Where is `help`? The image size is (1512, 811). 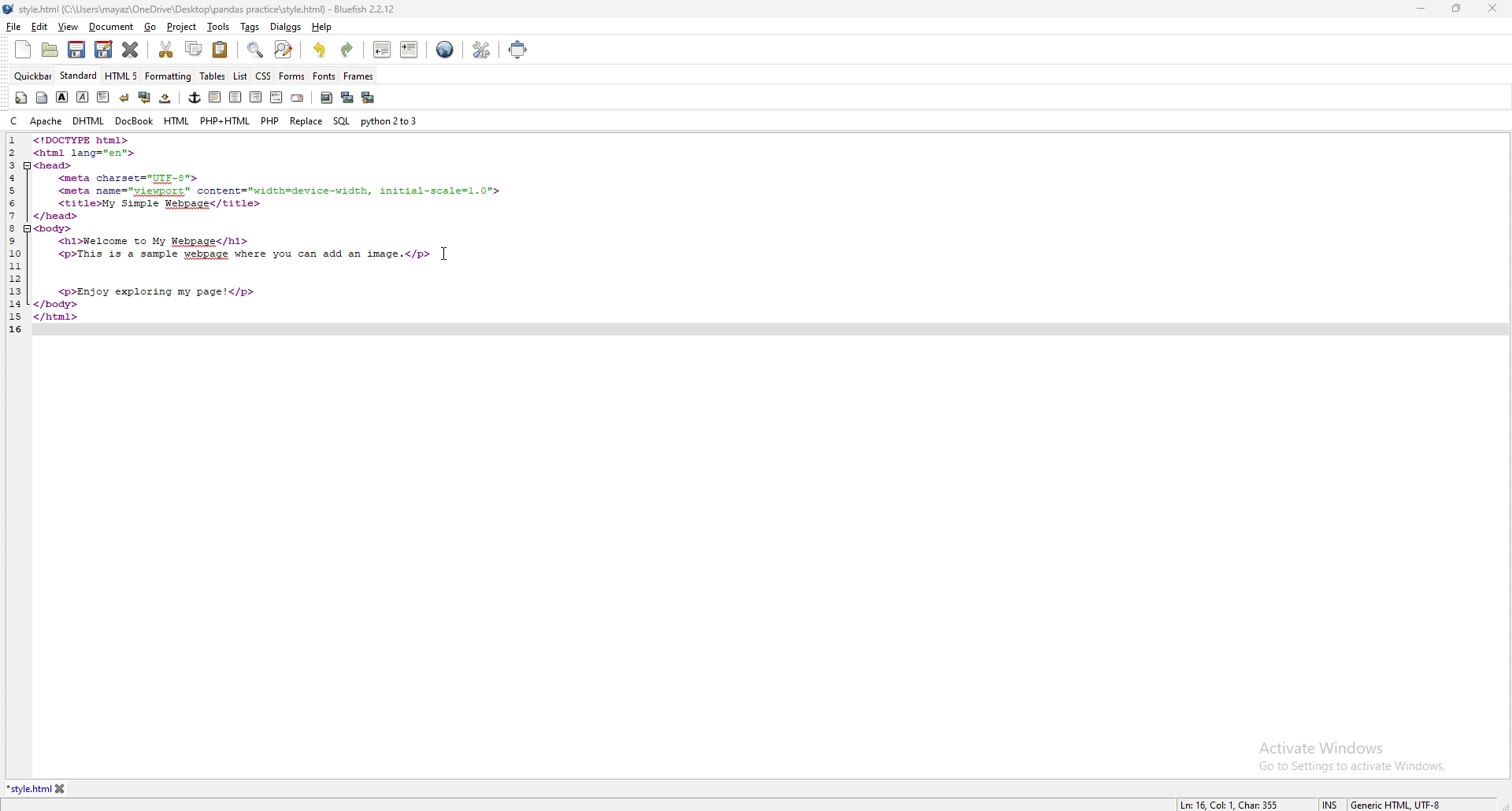 help is located at coordinates (323, 27).